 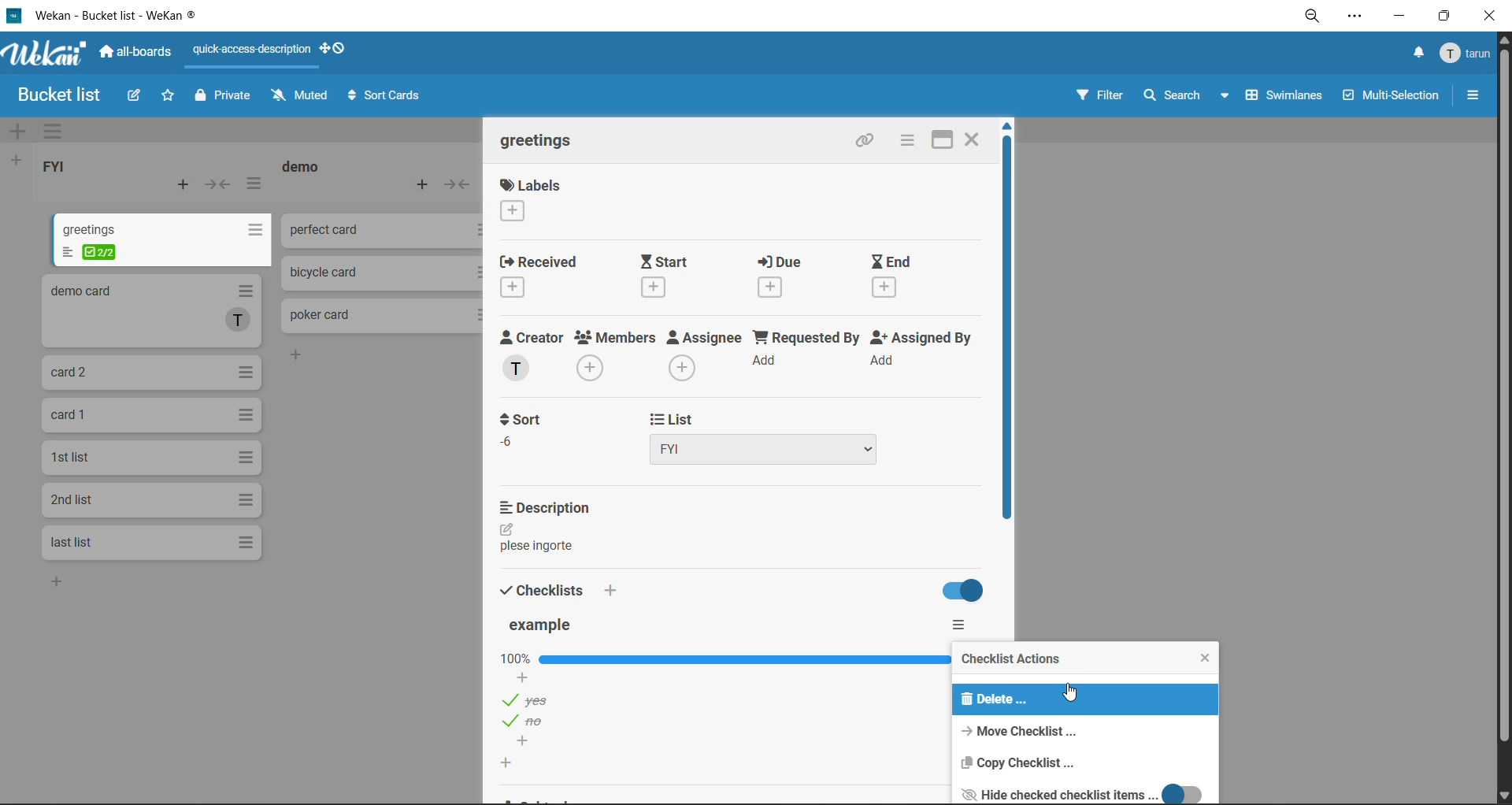 What do you see at coordinates (150, 541) in the screenshot?
I see `cards` at bounding box center [150, 541].